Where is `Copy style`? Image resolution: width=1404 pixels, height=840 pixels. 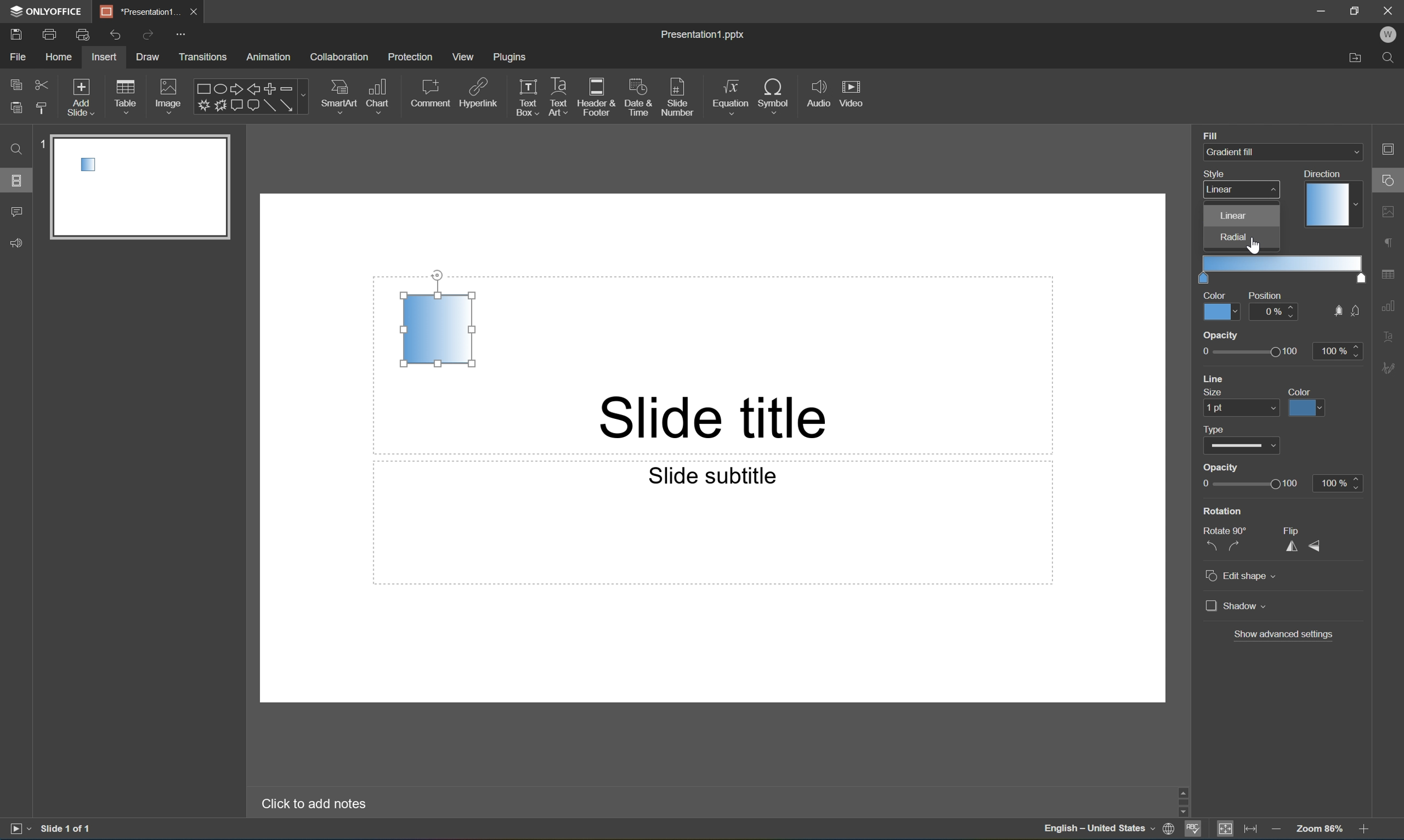
Copy style is located at coordinates (43, 109).